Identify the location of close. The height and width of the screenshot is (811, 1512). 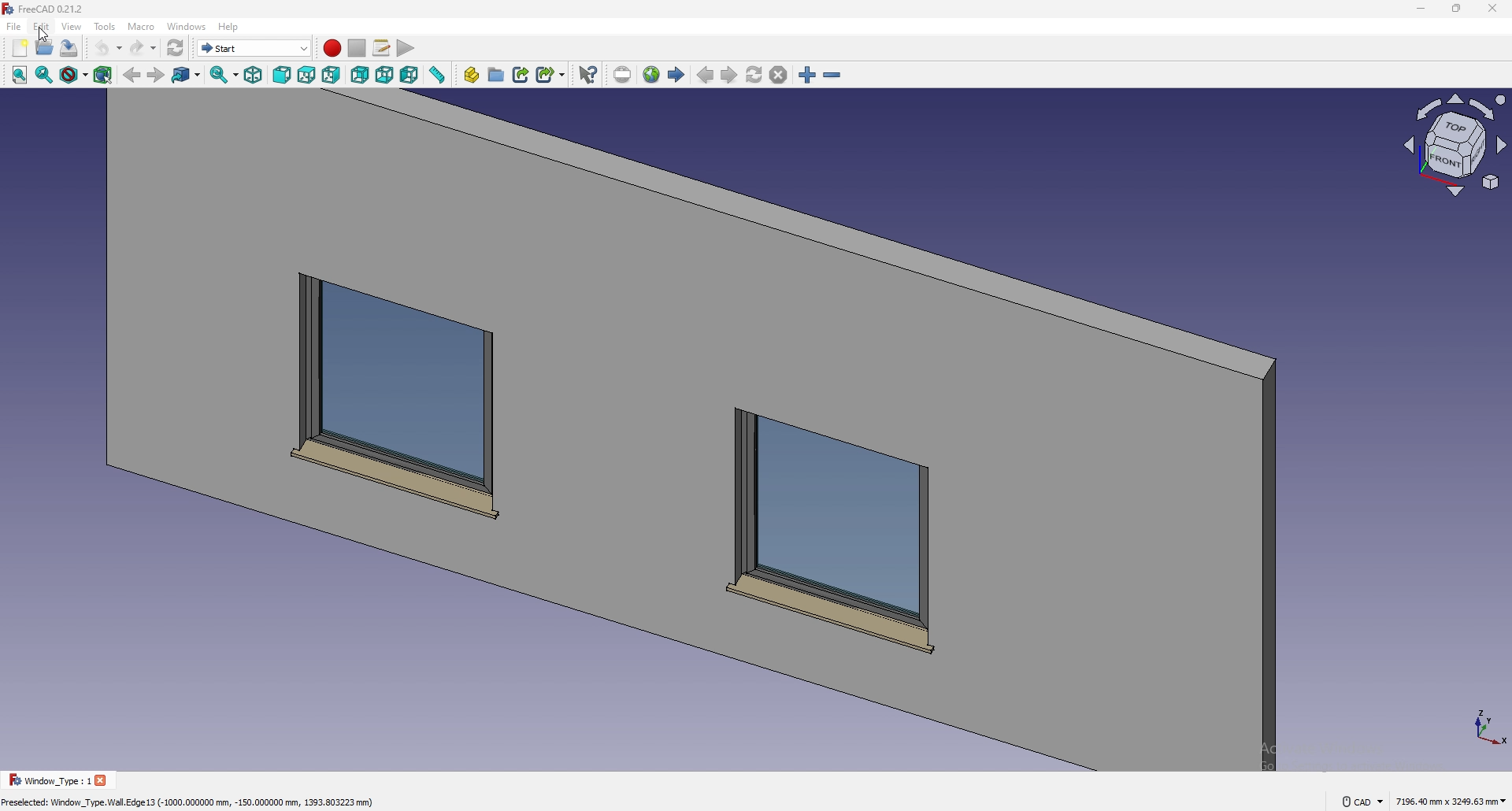
(1492, 9).